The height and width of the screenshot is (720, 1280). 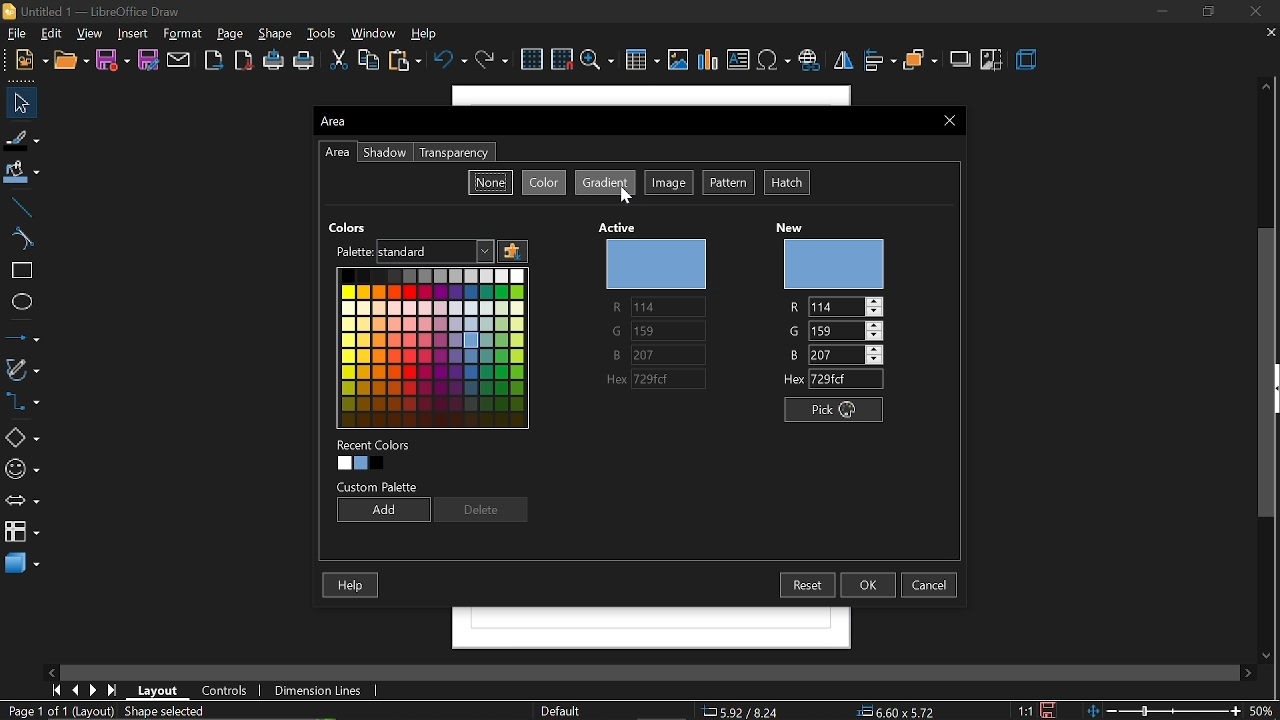 What do you see at coordinates (454, 153) in the screenshot?
I see `transparency` at bounding box center [454, 153].